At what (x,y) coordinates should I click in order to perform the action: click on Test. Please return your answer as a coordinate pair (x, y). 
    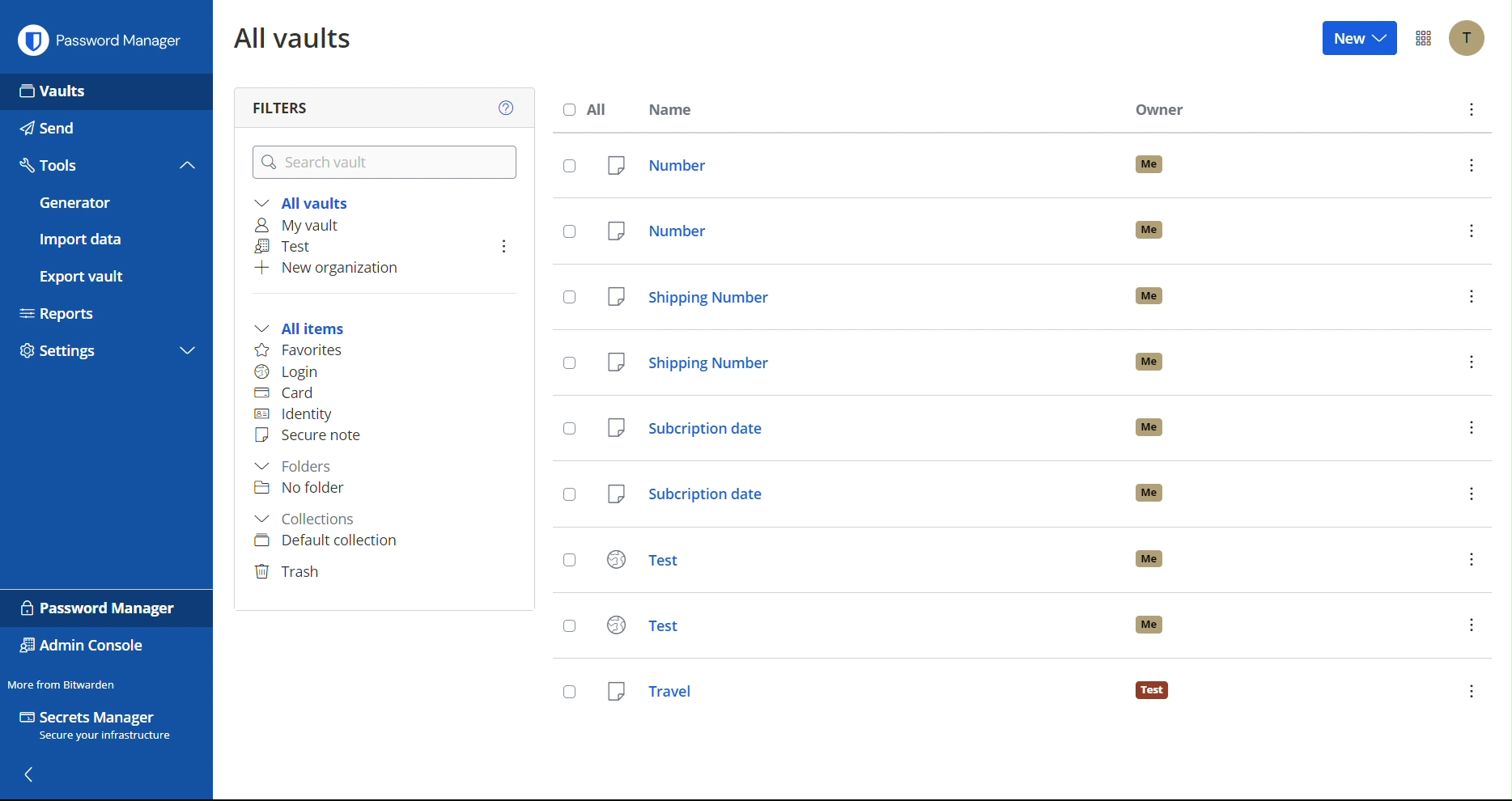
    Looking at the image, I should click on (289, 247).